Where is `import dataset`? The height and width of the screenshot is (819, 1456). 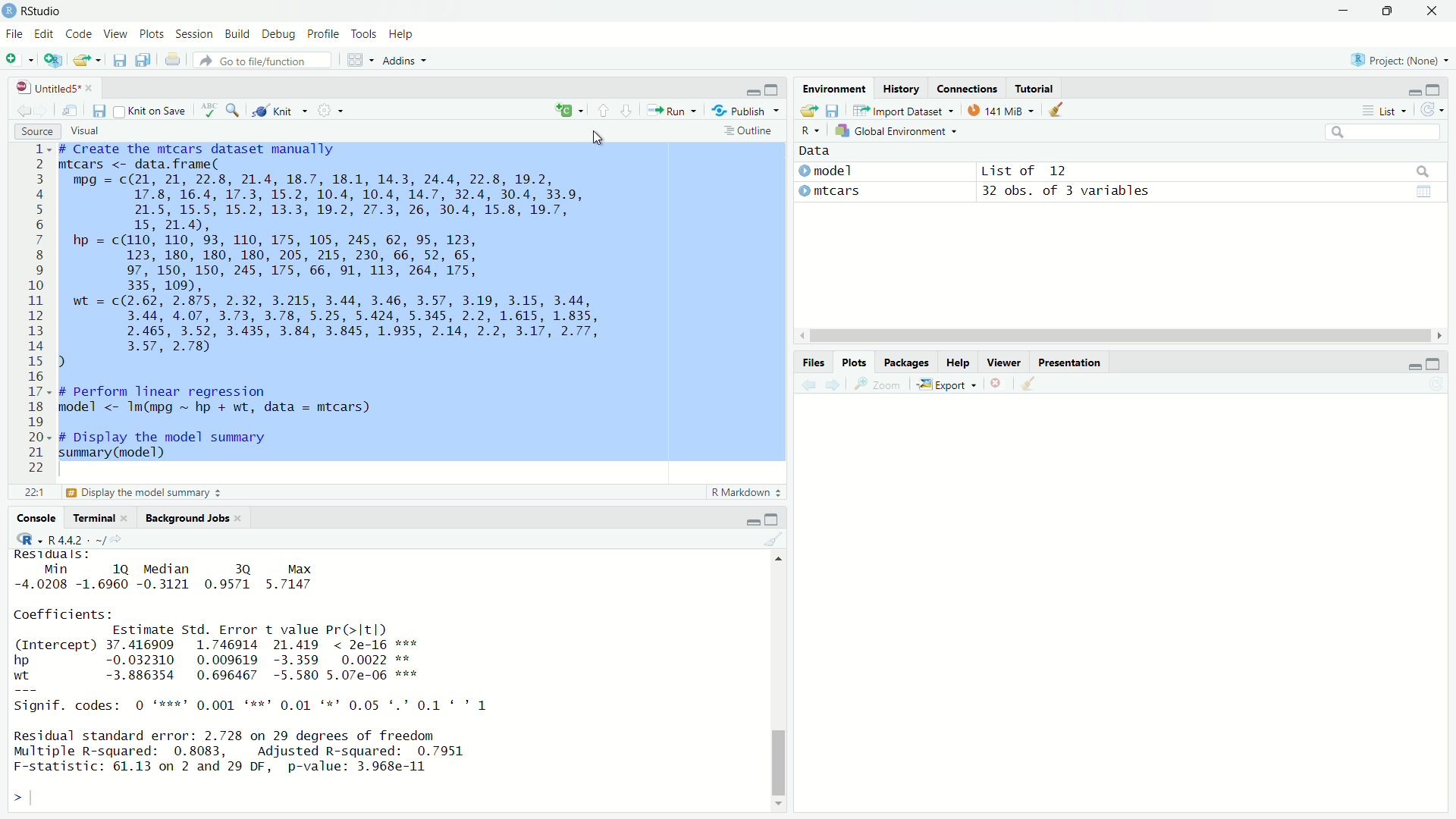 import dataset is located at coordinates (897, 111).